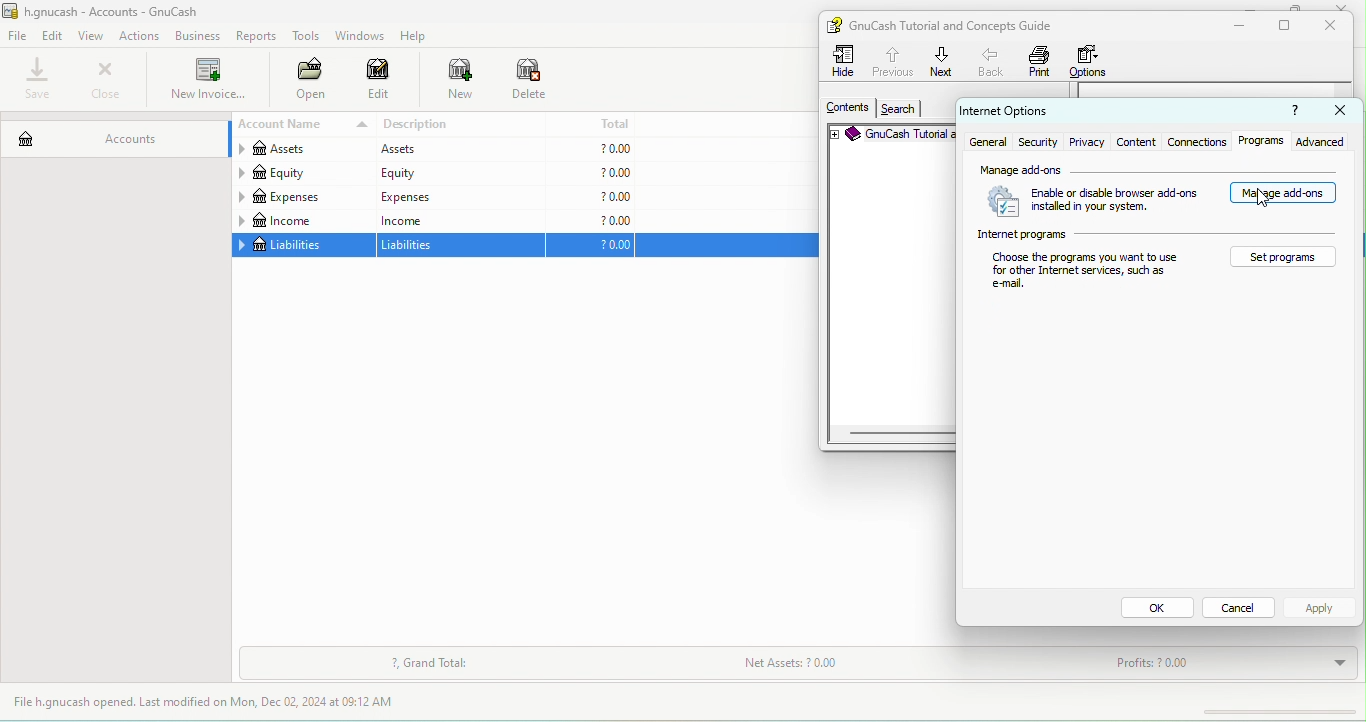 The width and height of the screenshot is (1366, 722). Describe the element at coordinates (1267, 201) in the screenshot. I see `cursor movement` at that location.